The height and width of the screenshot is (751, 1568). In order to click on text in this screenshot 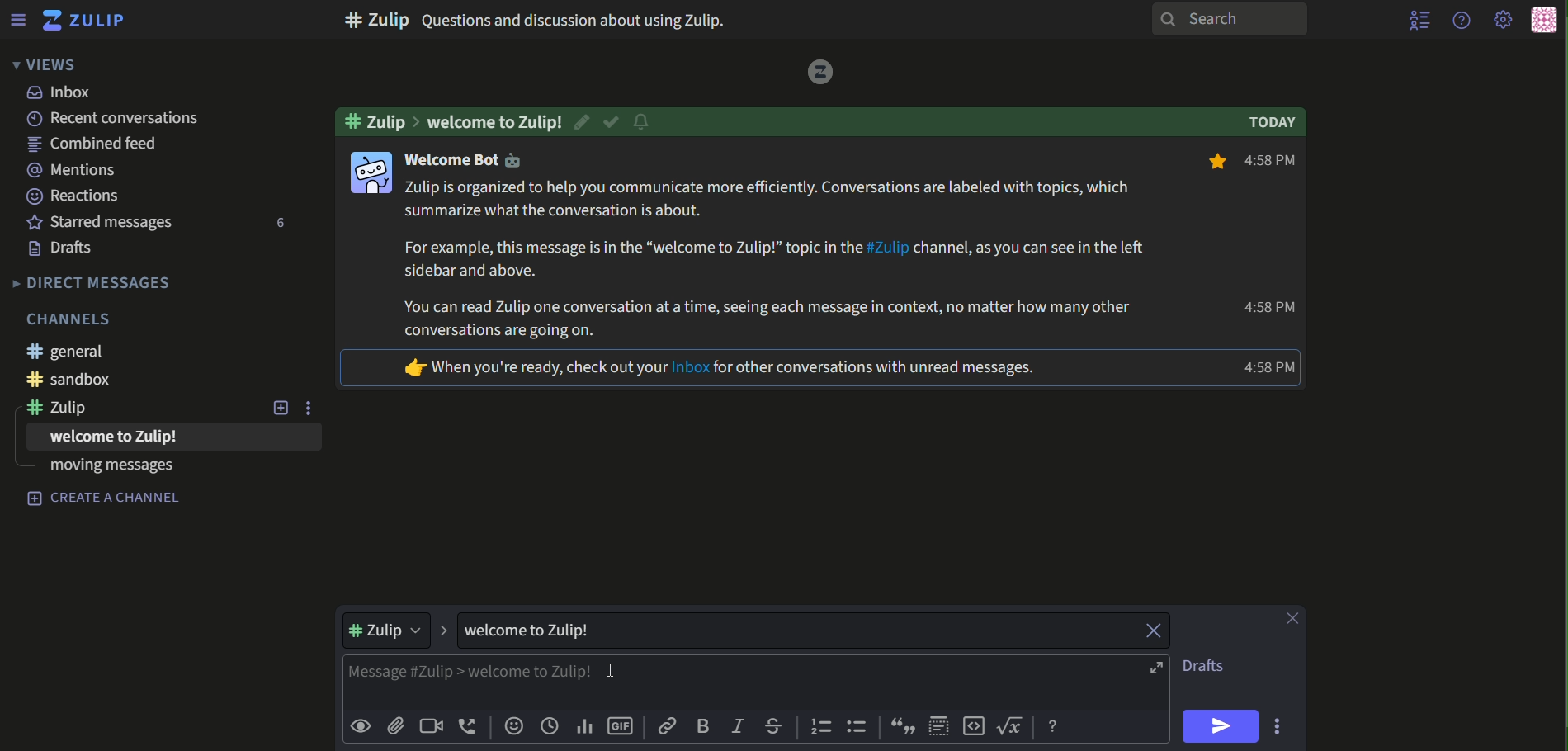, I will do `click(1276, 123)`.